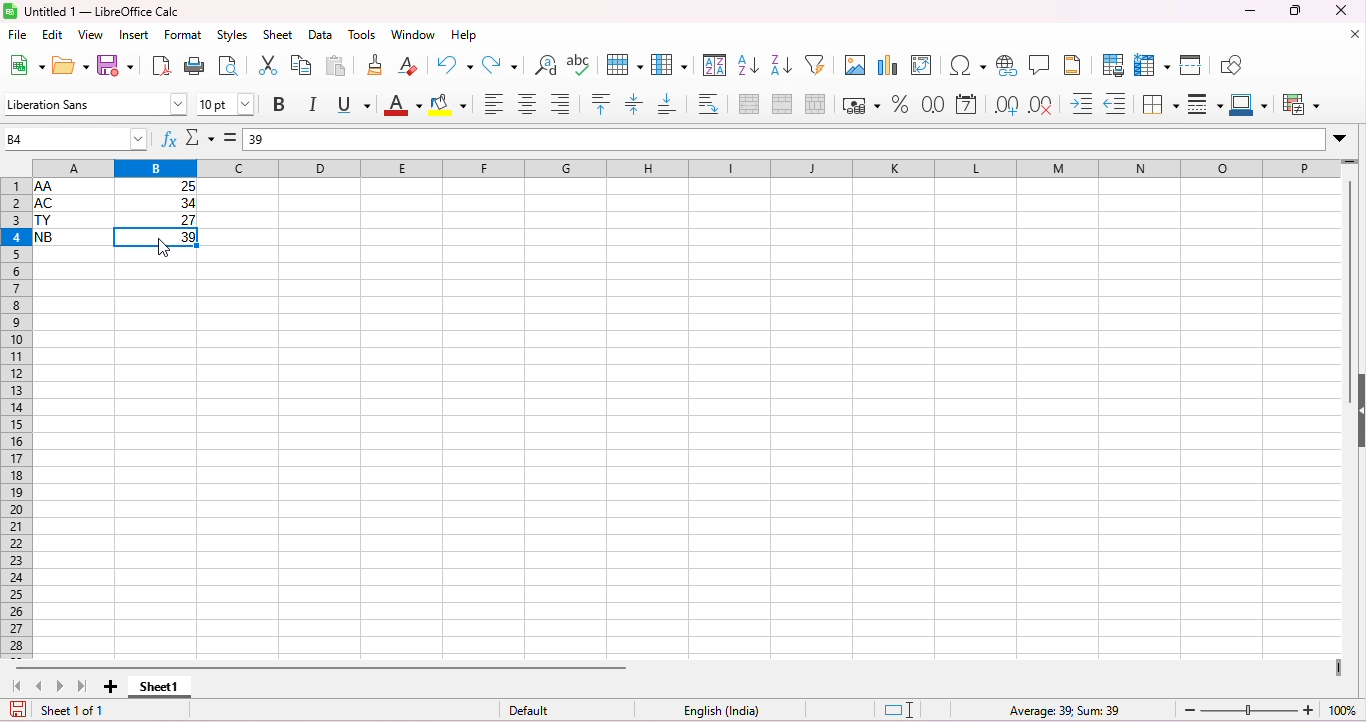 The image size is (1366, 722). I want to click on cursor movement, so click(164, 249).